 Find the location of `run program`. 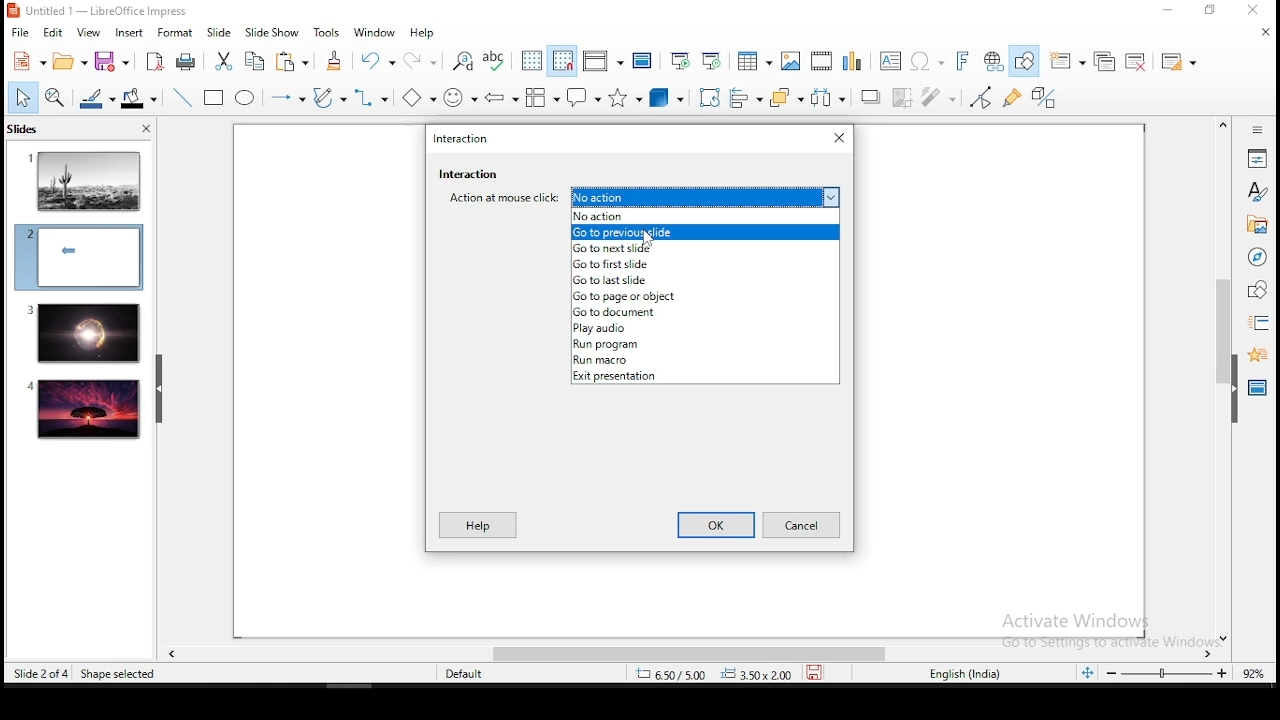

run program is located at coordinates (704, 344).